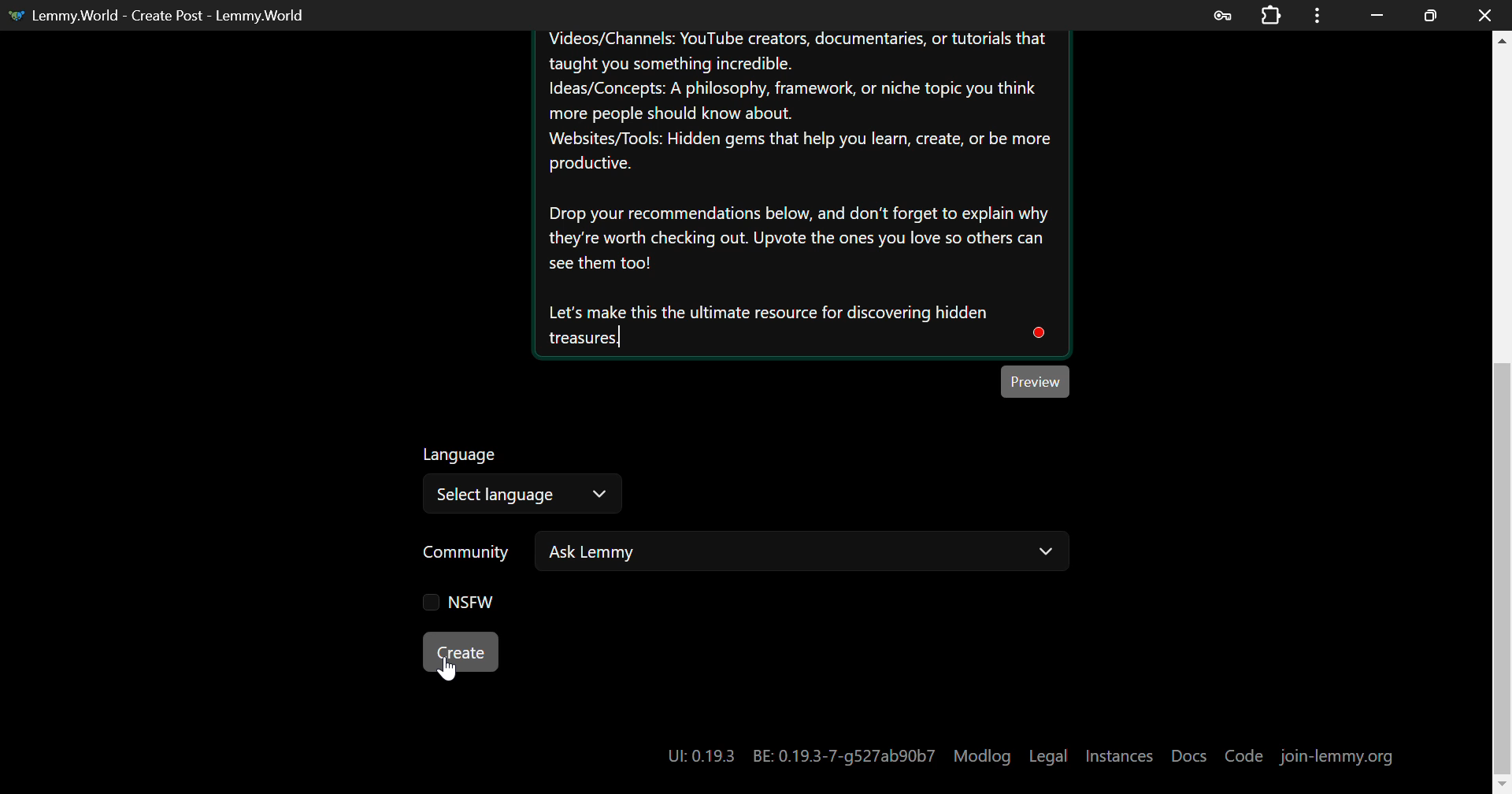 The image size is (1512, 794). What do you see at coordinates (727, 558) in the screenshot?
I see `Community: Ask Lemmy` at bounding box center [727, 558].